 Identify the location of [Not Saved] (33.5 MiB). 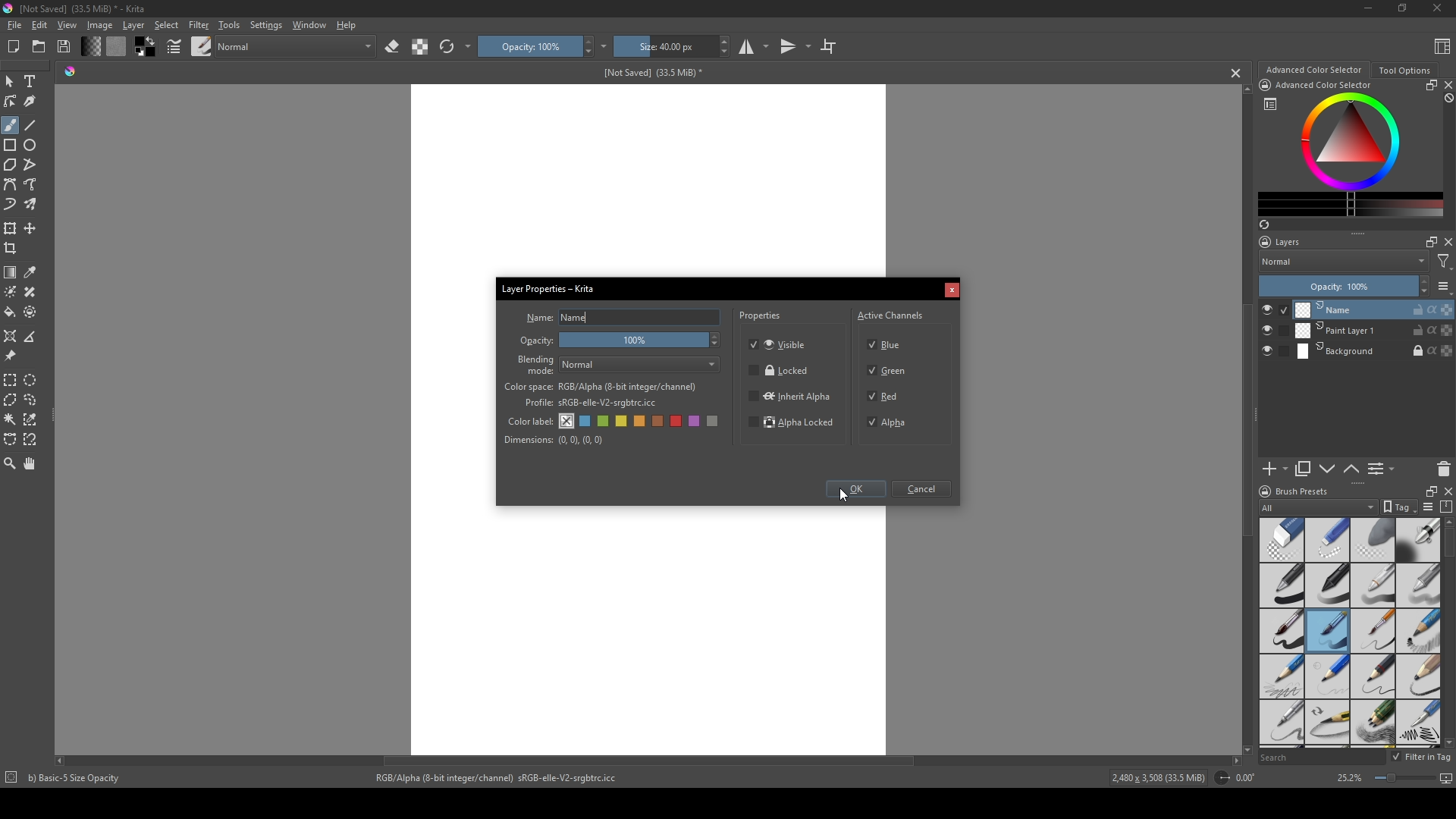
(650, 73).